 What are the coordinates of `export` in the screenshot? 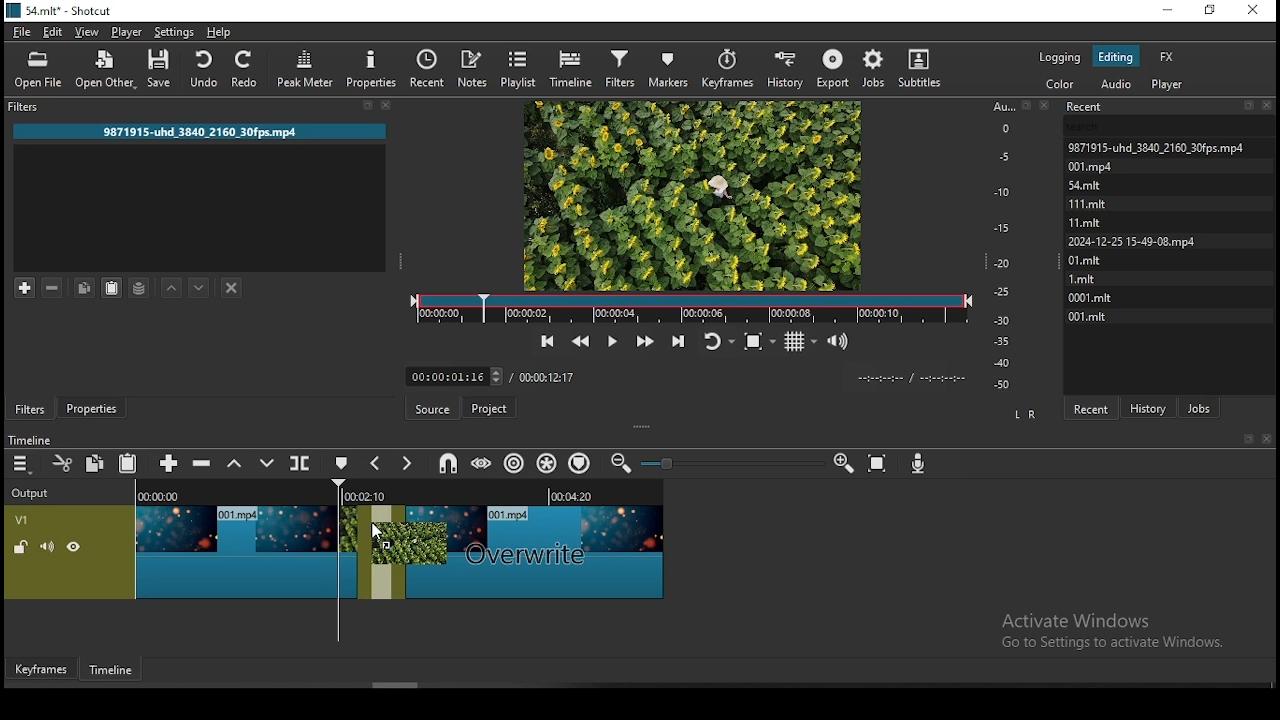 It's located at (834, 68).